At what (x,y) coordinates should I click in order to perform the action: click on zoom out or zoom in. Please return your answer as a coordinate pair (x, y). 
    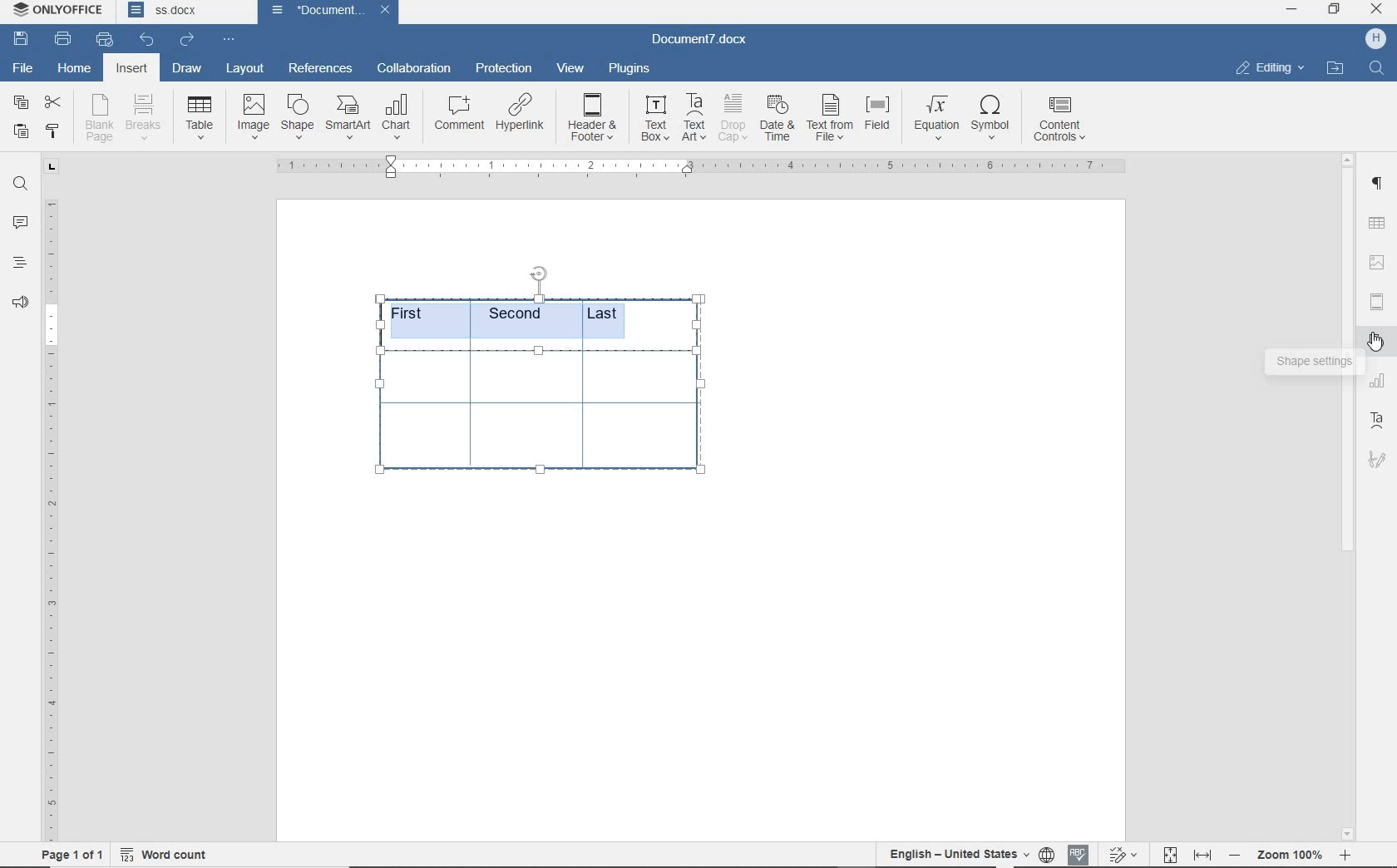
    Looking at the image, I should click on (1294, 852).